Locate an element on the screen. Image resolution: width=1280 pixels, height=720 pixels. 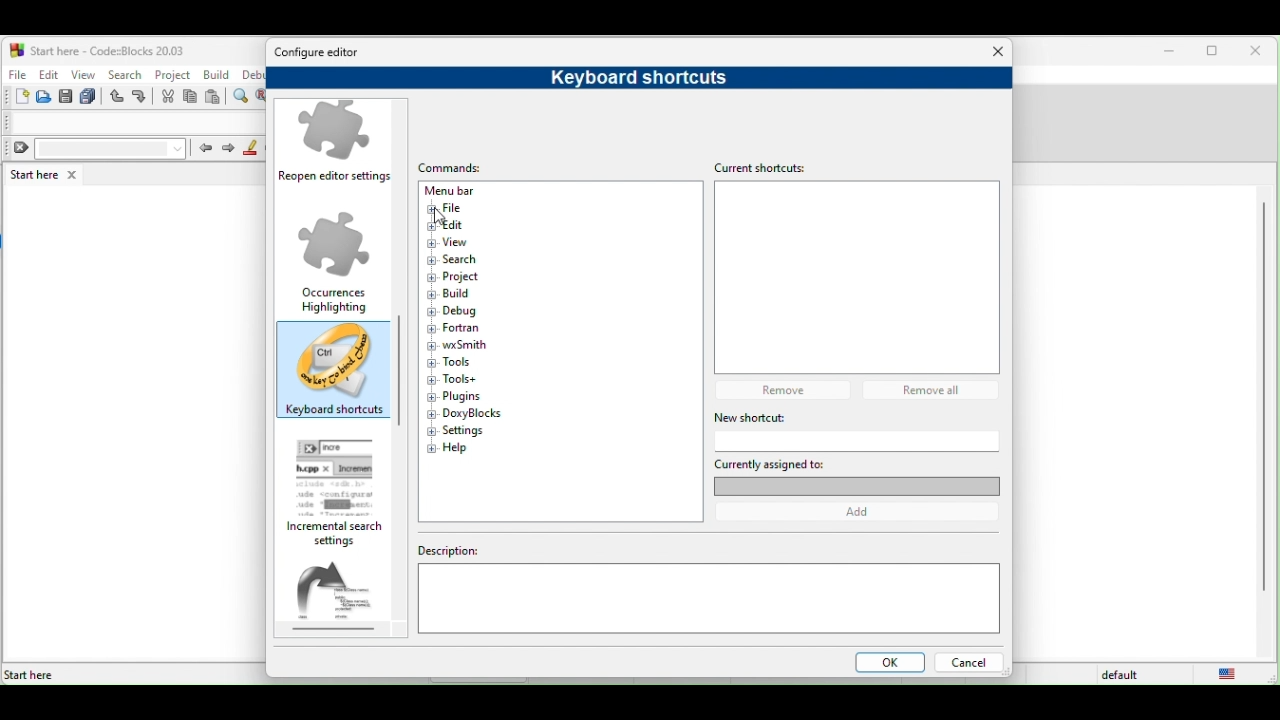
copy is located at coordinates (191, 98).